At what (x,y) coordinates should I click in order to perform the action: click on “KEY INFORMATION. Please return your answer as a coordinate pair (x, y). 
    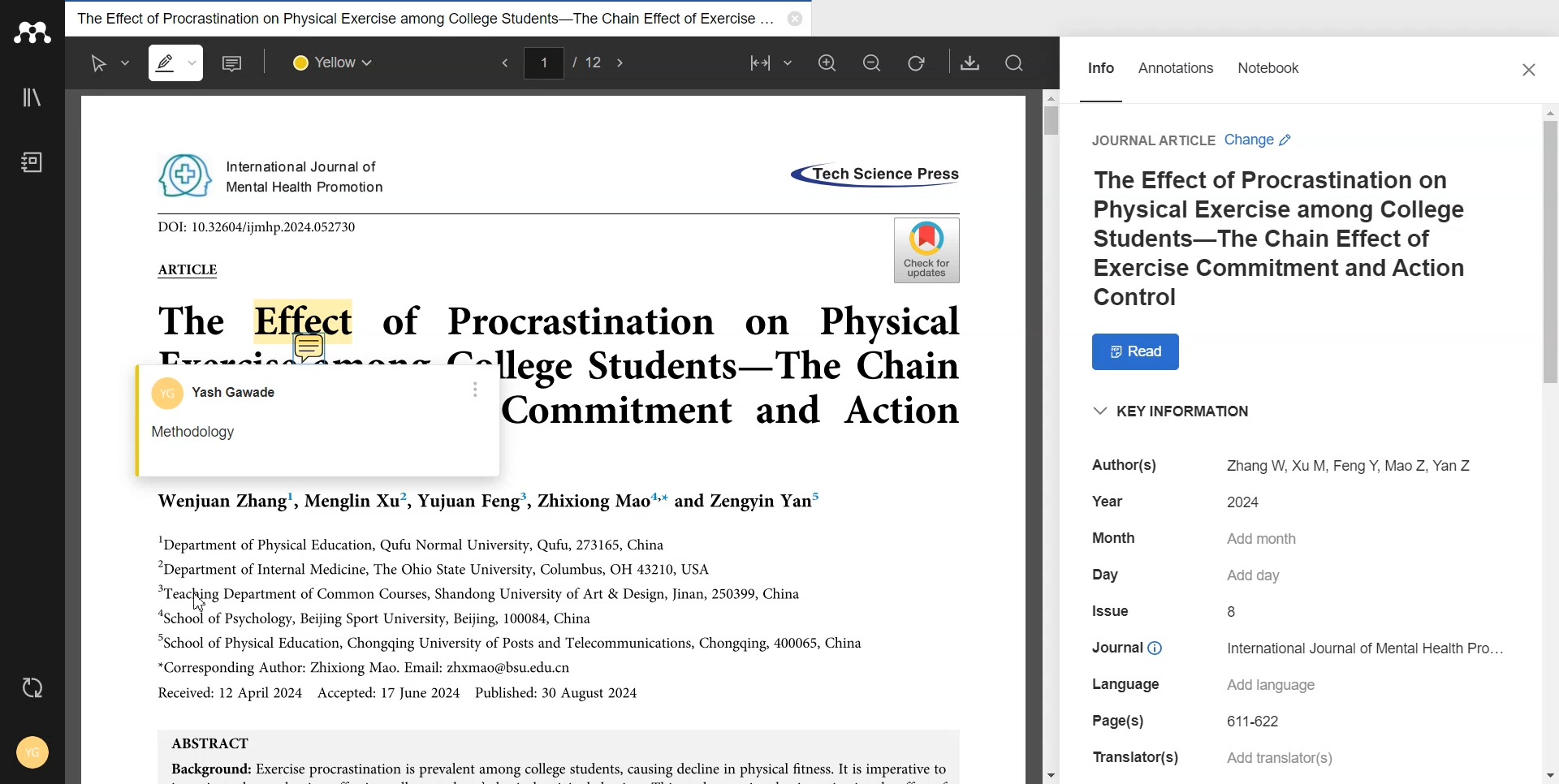
    Looking at the image, I should click on (1174, 415).